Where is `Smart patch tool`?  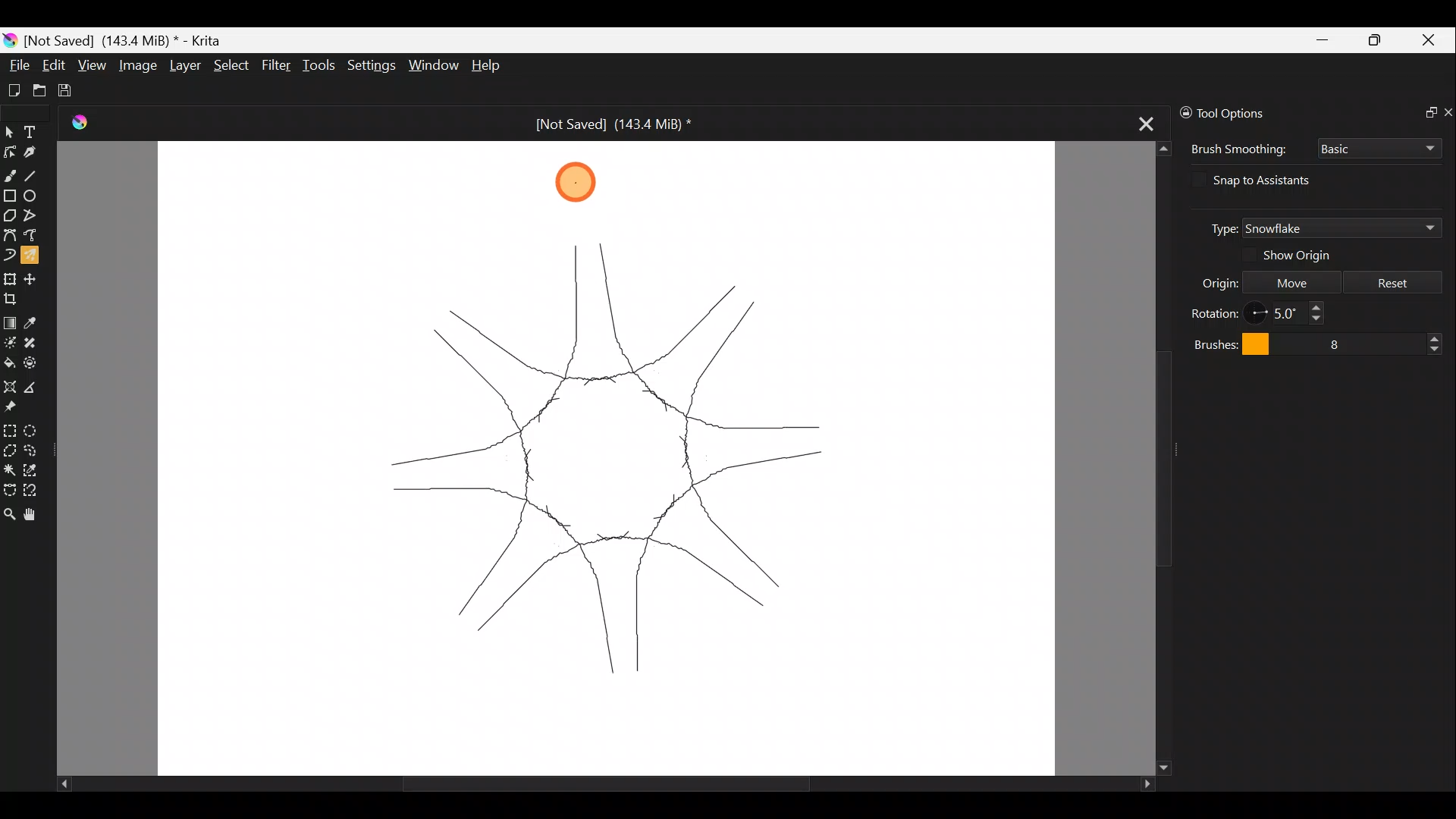
Smart patch tool is located at coordinates (32, 342).